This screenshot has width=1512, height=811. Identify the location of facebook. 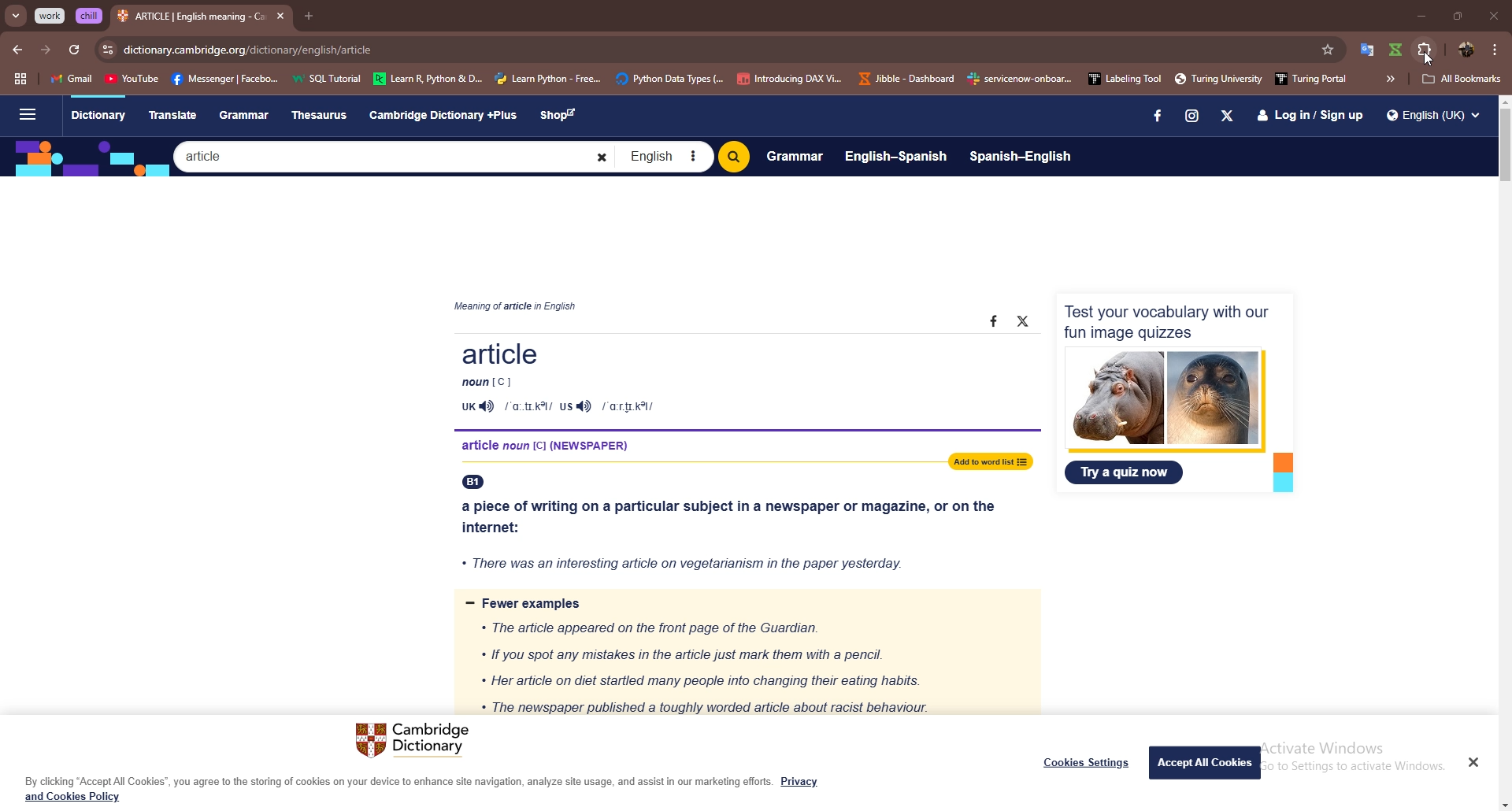
(1151, 117).